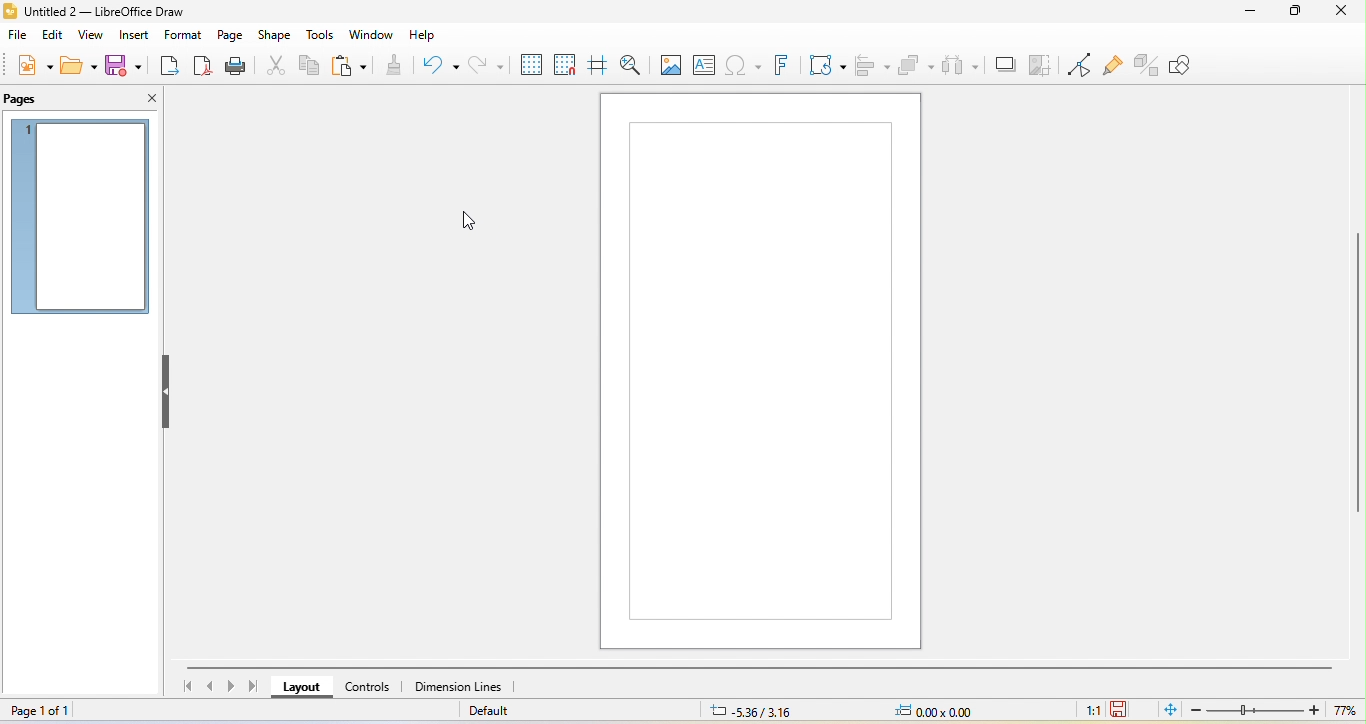 The image size is (1366, 724). I want to click on align object, so click(876, 65).